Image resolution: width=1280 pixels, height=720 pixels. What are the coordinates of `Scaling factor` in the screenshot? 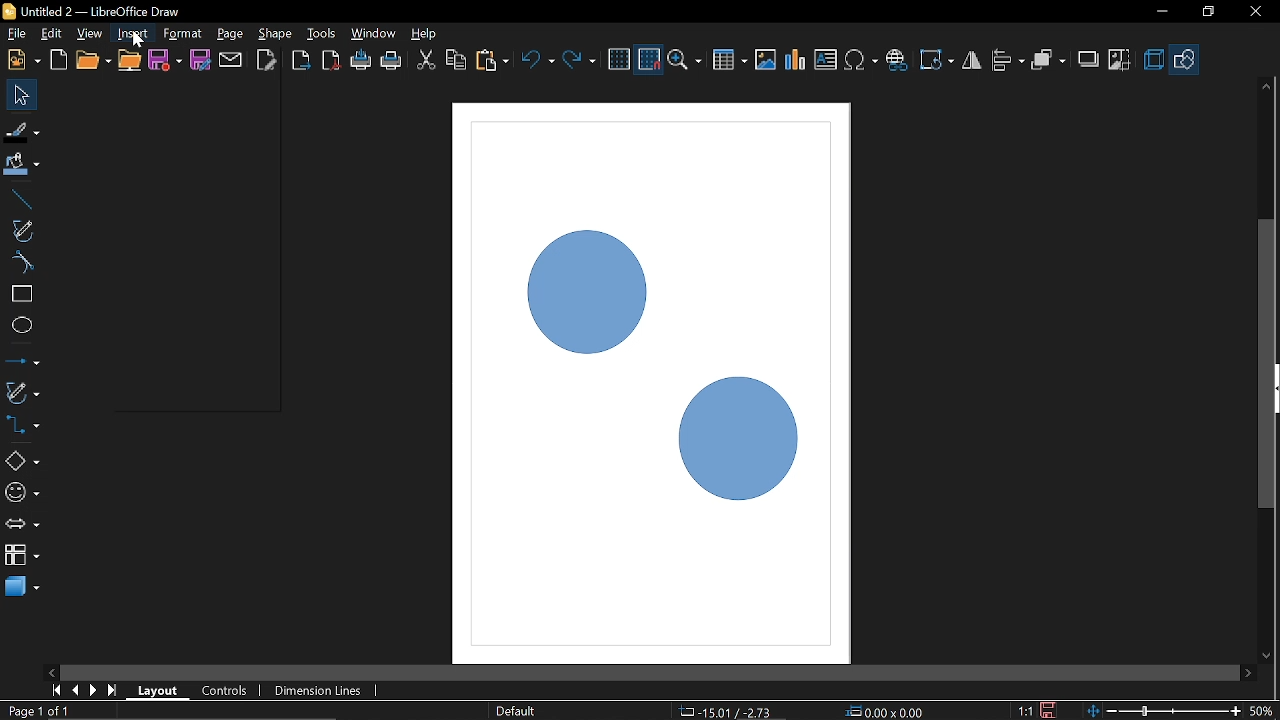 It's located at (1025, 711).